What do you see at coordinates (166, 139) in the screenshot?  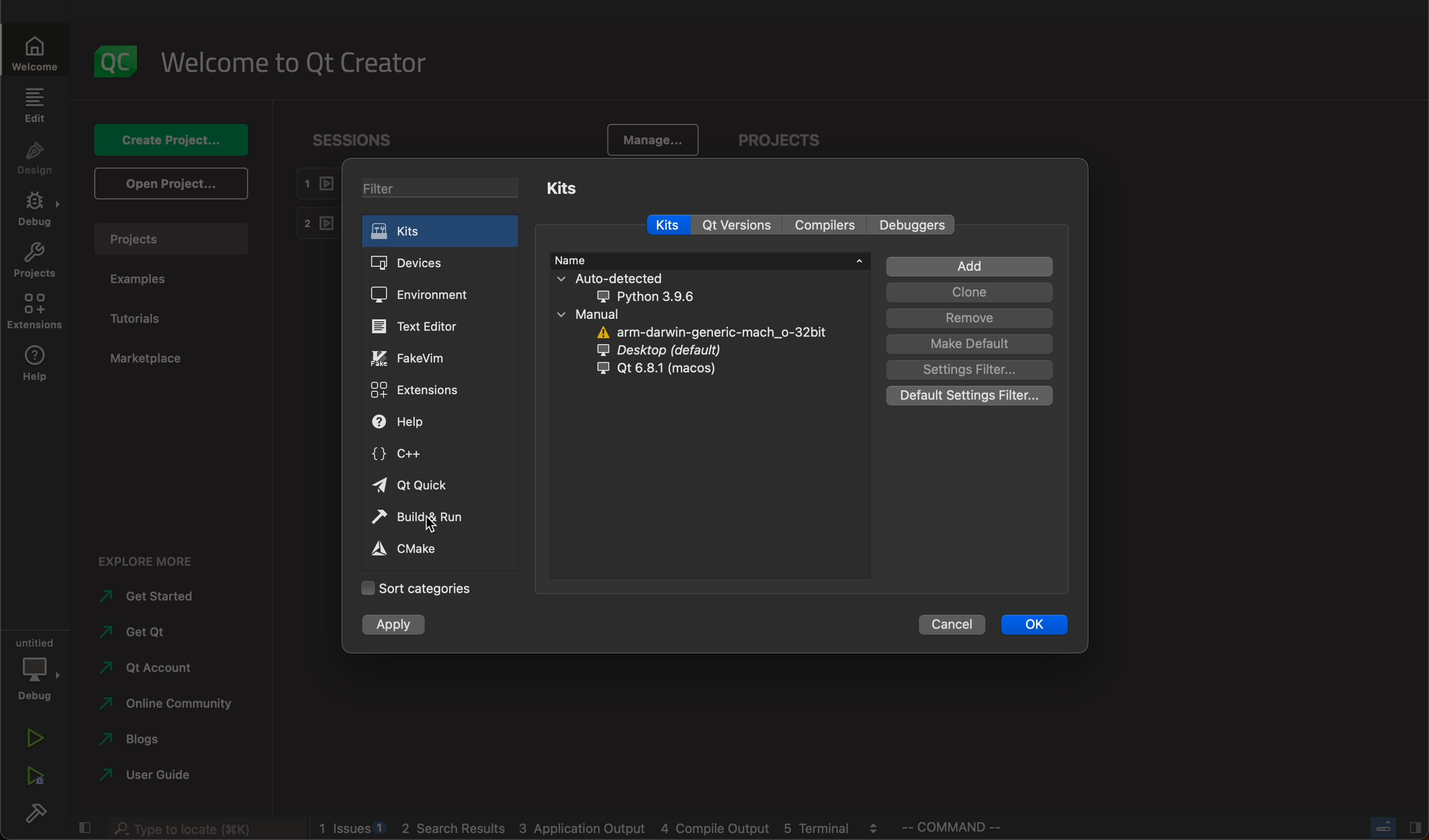 I see `create` at bounding box center [166, 139].